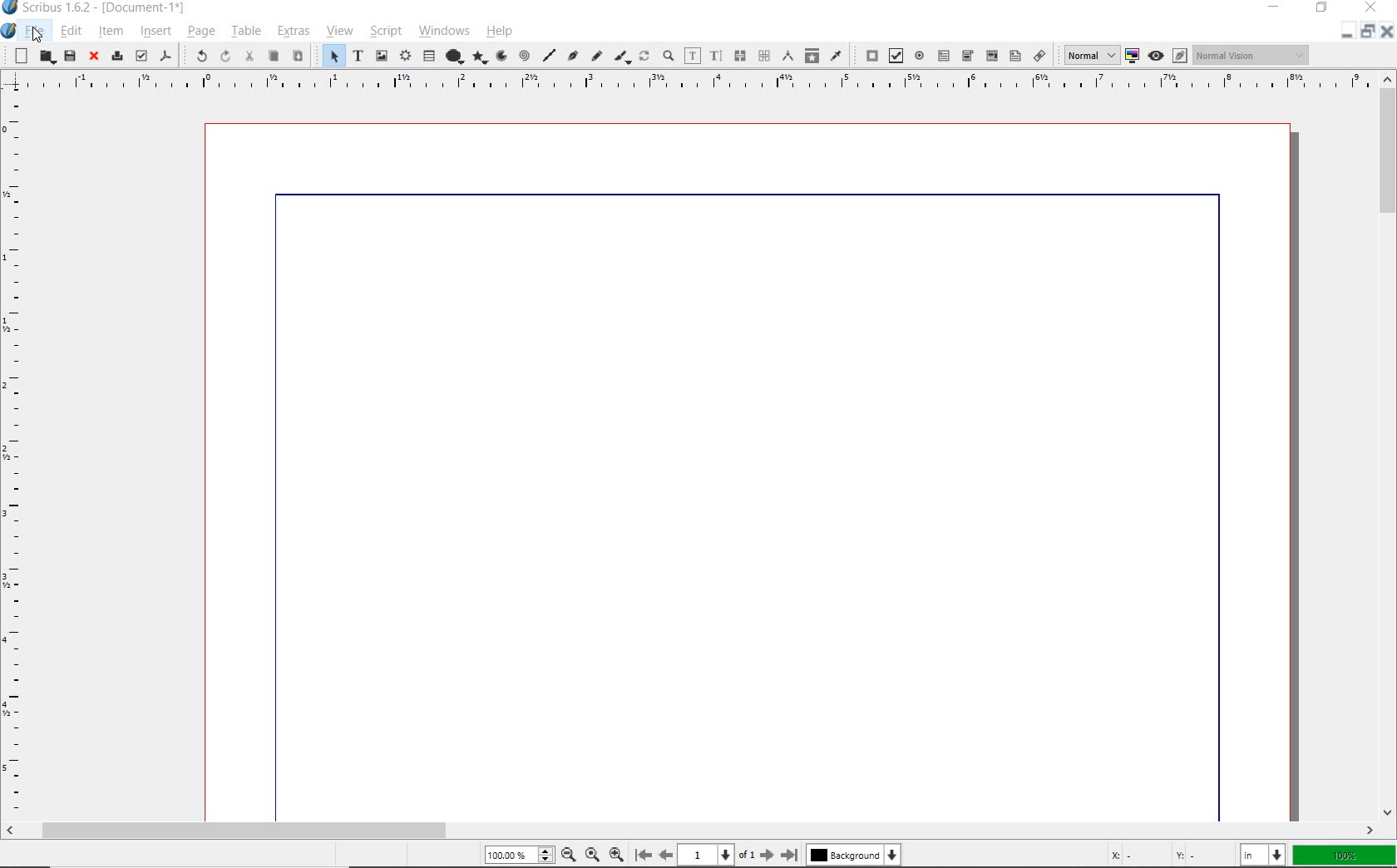 The image size is (1397, 868). Describe the element at coordinates (198, 56) in the screenshot. I see `undo` at that location.